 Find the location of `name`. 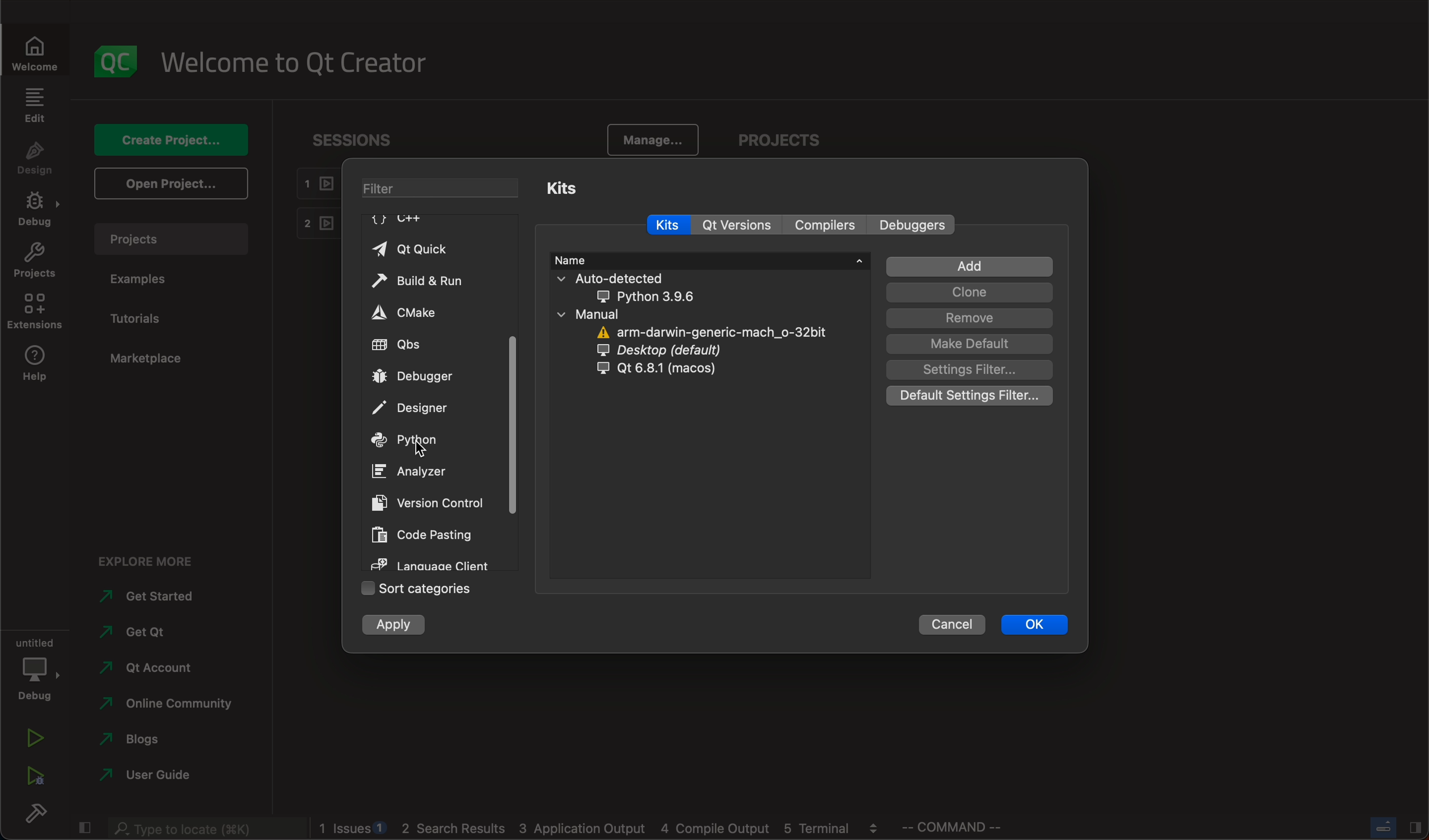

name is located at coordinates (709, 260).